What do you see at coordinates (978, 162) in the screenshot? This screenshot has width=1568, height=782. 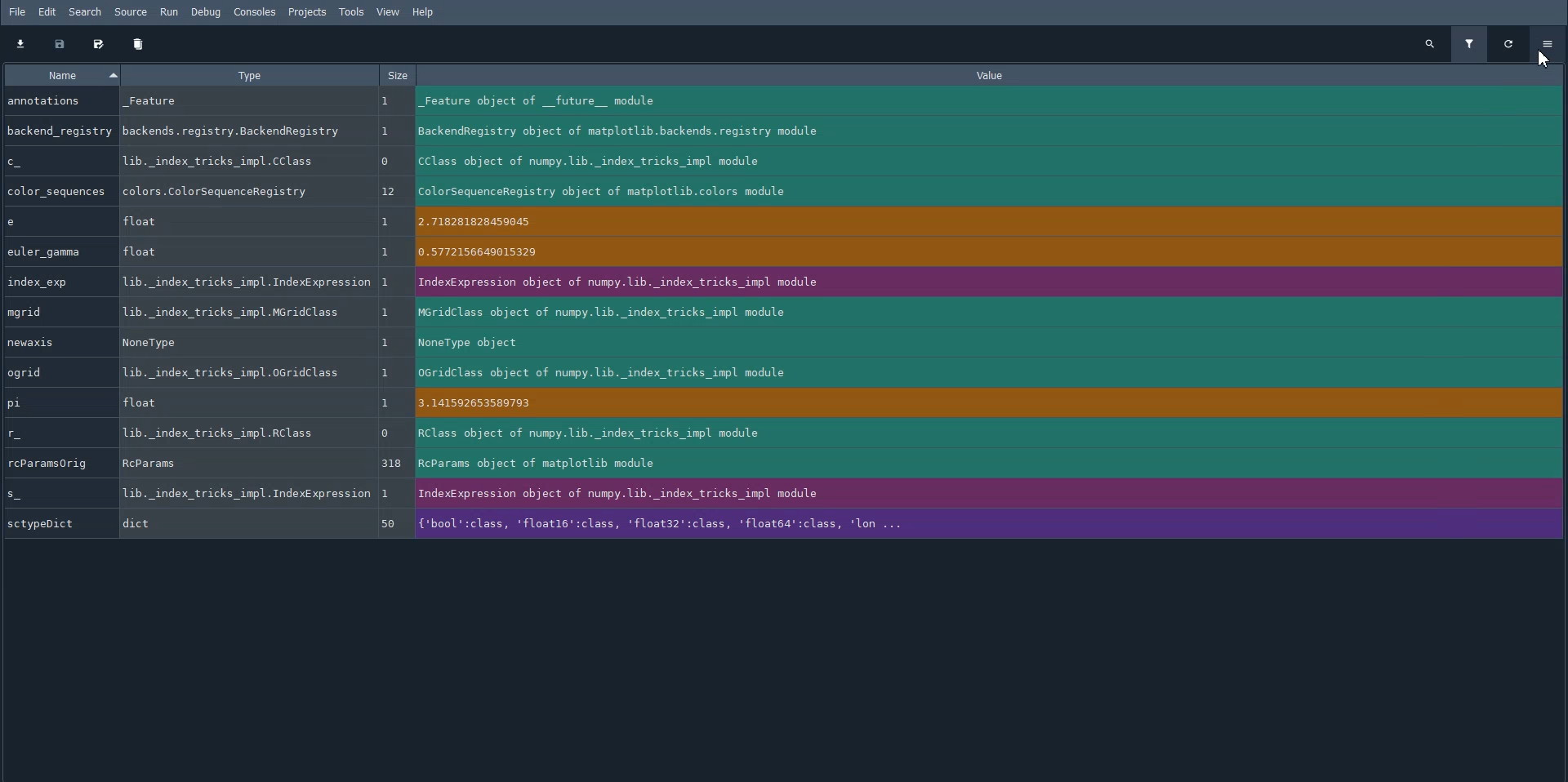 I see `Cclass object of numpy.lib._index_tricks_impl module` at bounding box center [978, 162].